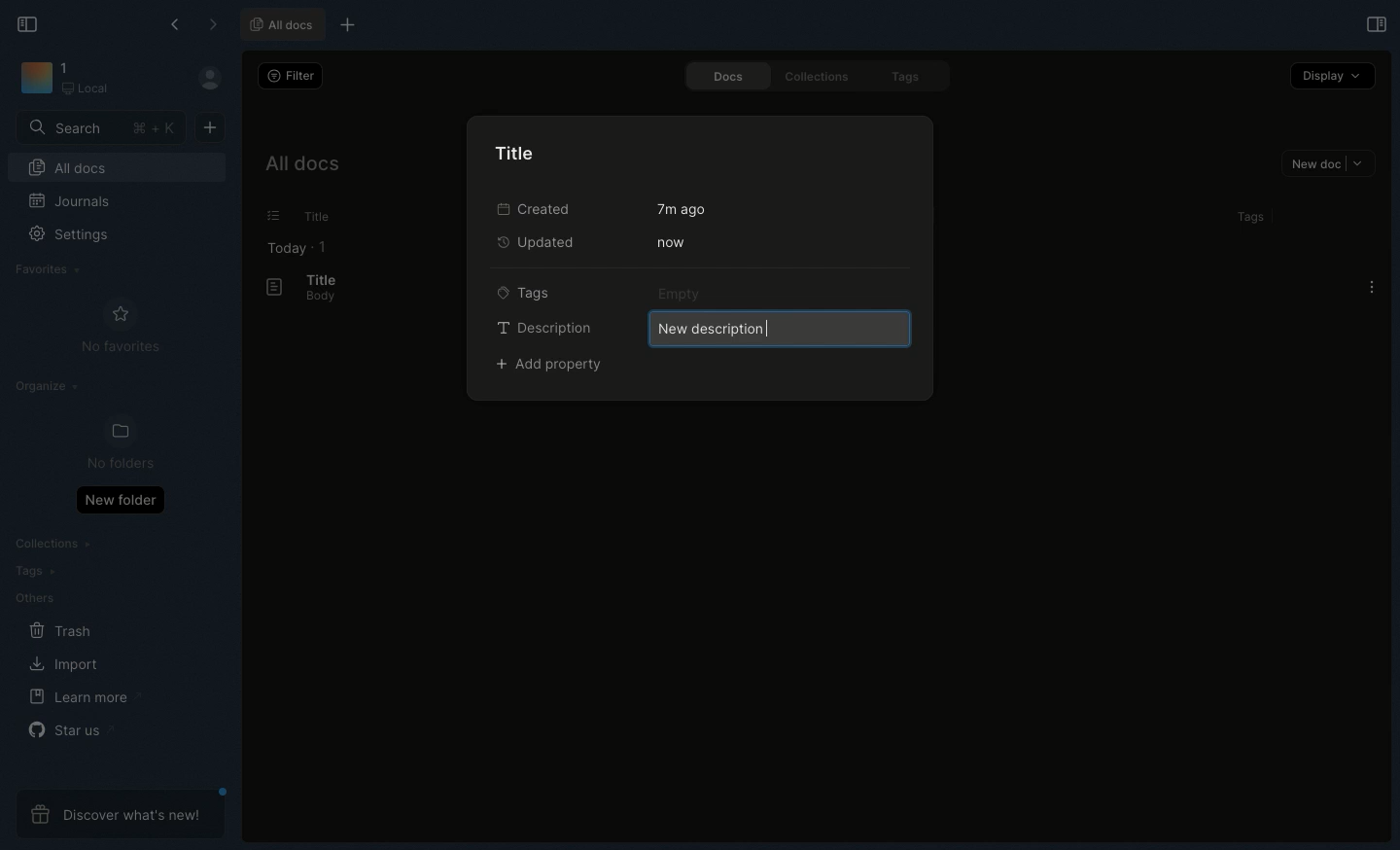  Describe the element at coordinates (1372, 287) in the screenshot. I see `Options` at that location.